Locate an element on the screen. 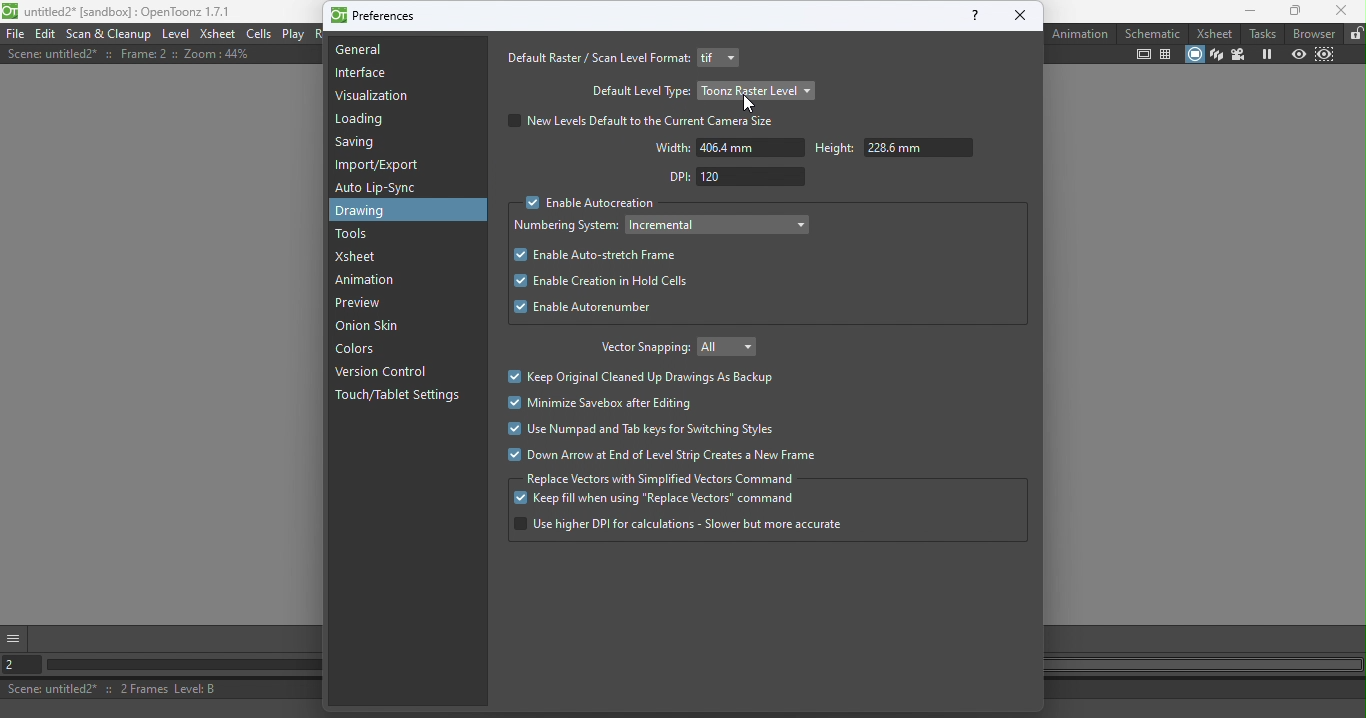 The width and height of the screenshot is (1366, 718). Vector snapping is located at coordinates (641, 349).